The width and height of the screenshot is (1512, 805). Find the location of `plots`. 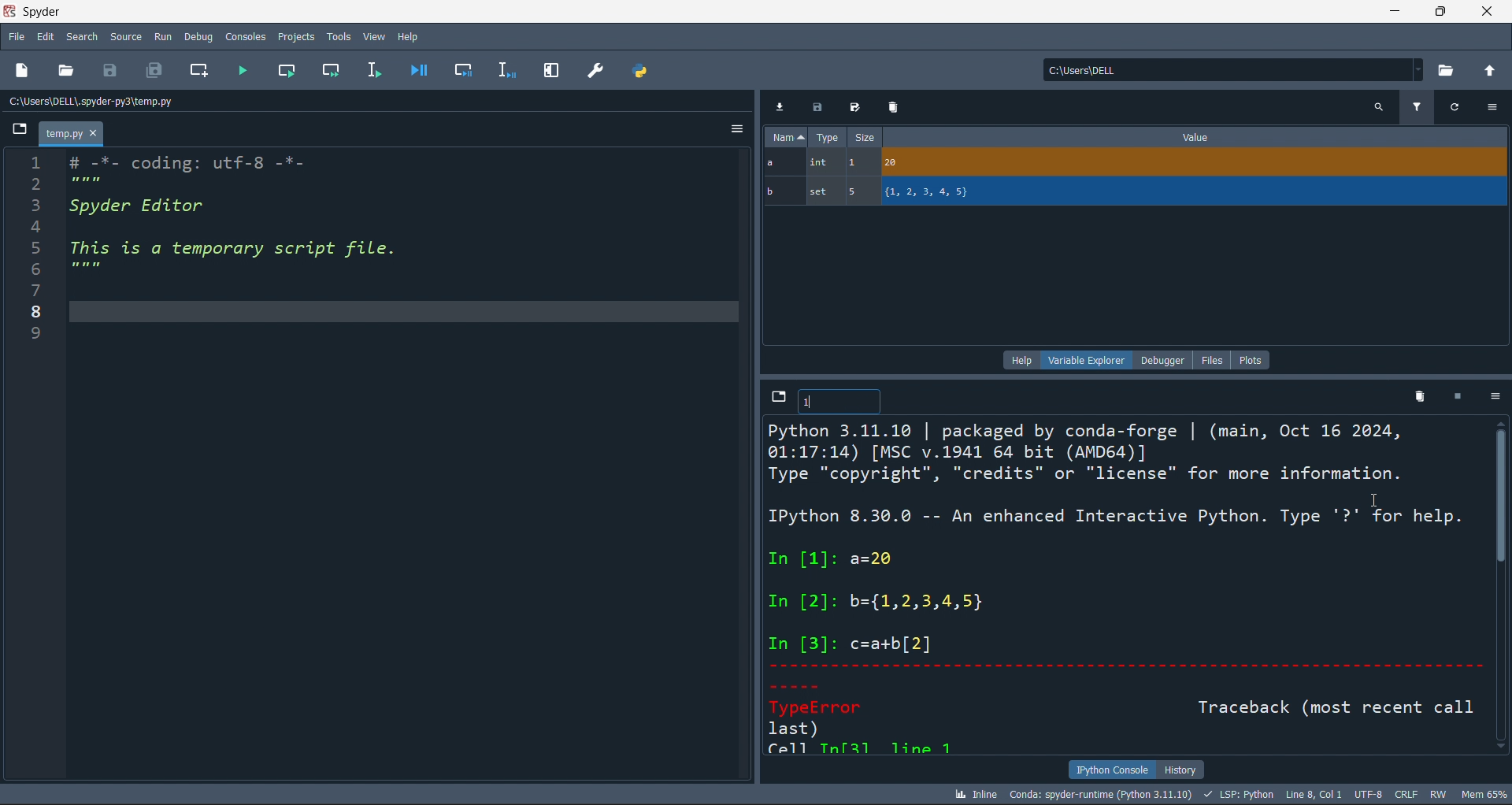

plots is located at coordinates (1251, 358).